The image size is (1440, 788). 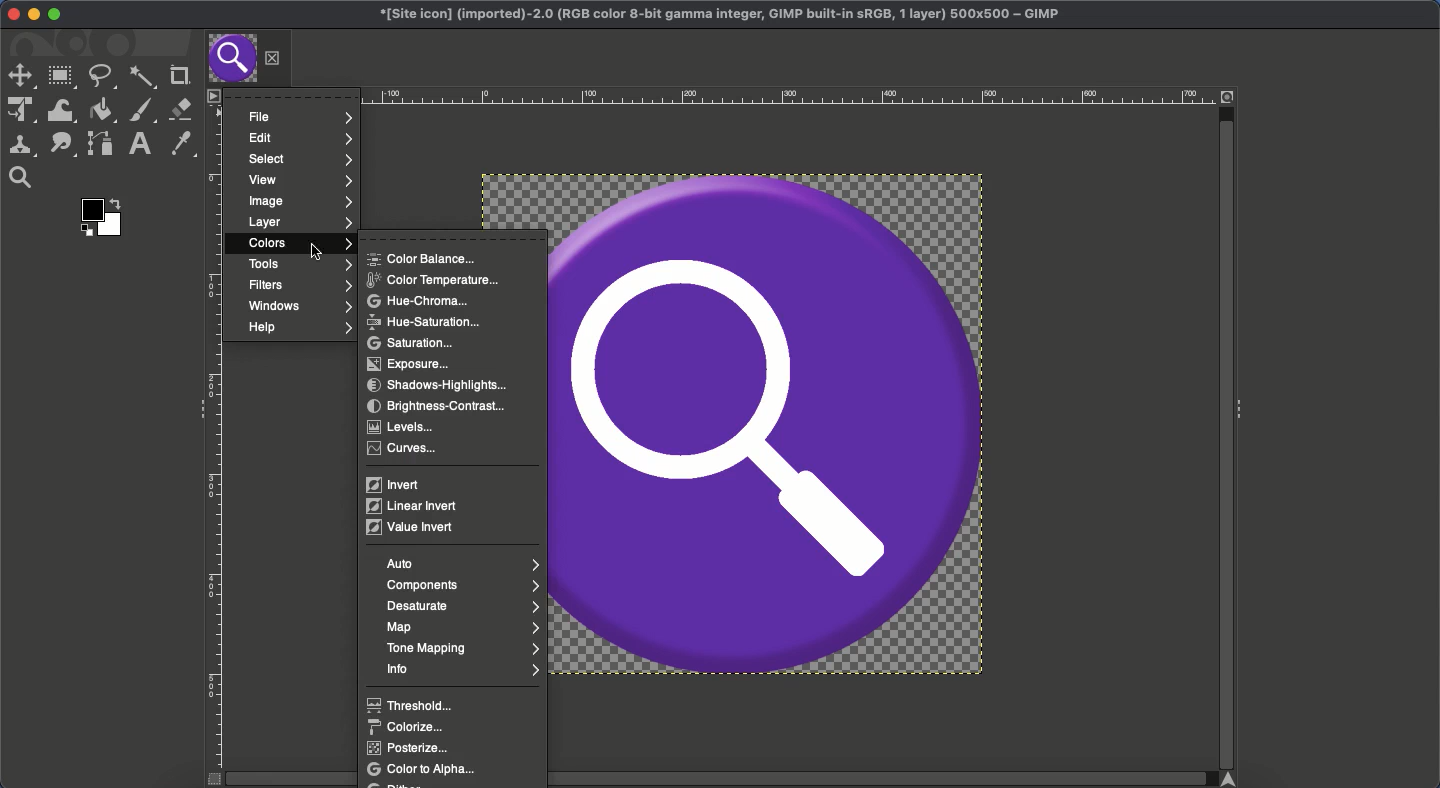 I want to click on Hue saturation, so click(x=423, y=321).